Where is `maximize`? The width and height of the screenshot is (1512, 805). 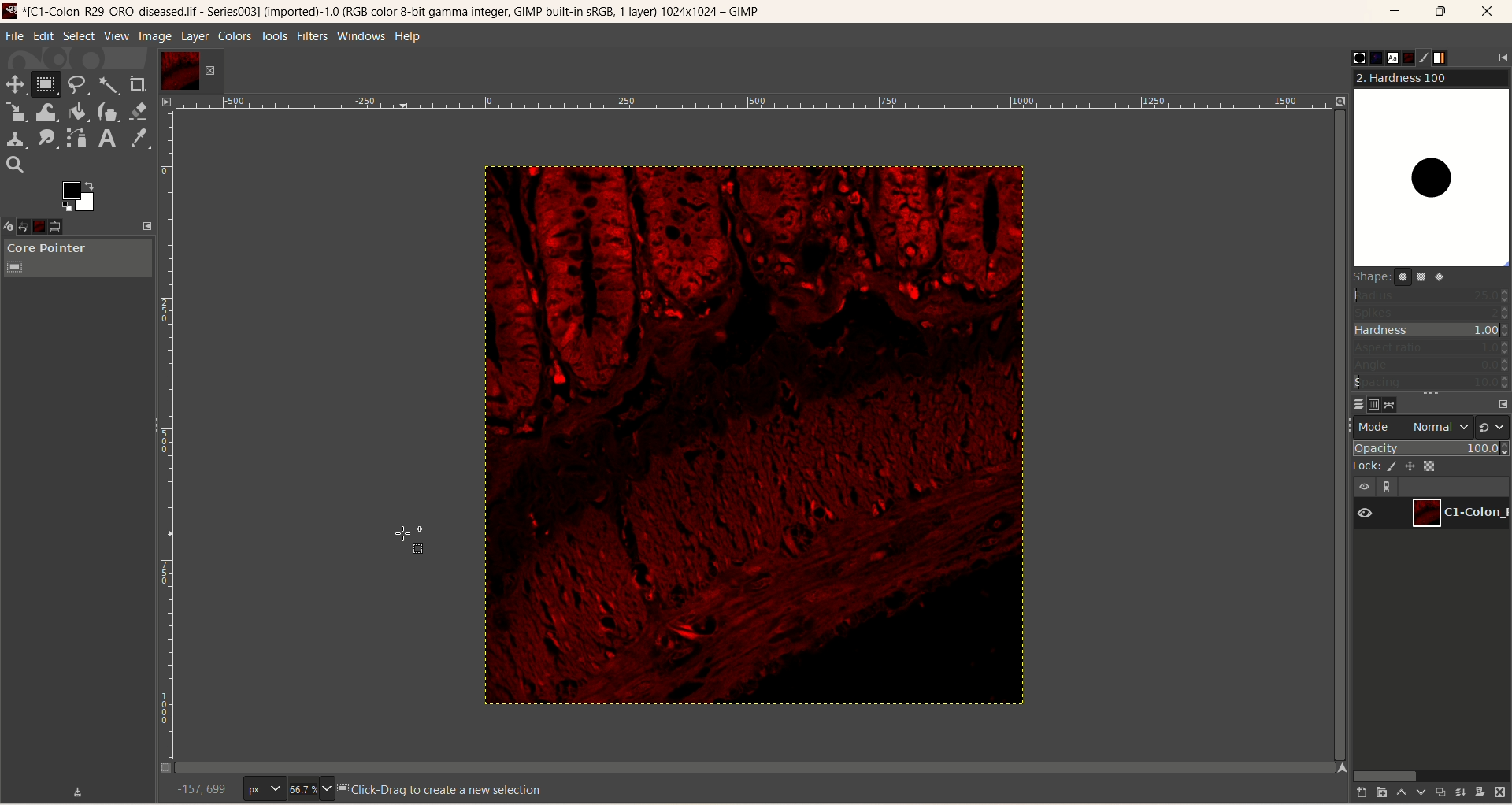 maximize is located at coordinates (1442, 12).